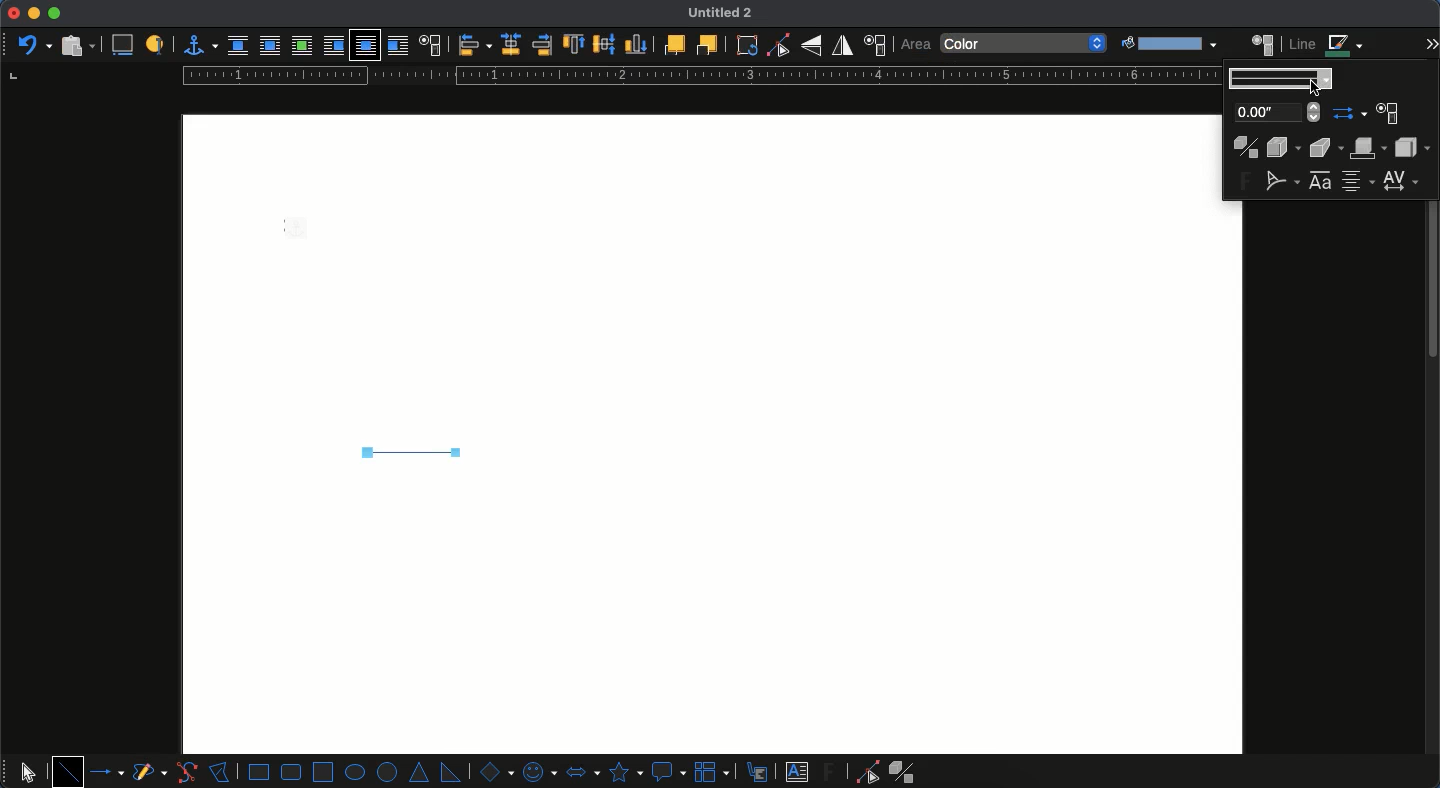  Describe the element at coordinates (220, 770) in the screenshot. I see `polygon` at that location.